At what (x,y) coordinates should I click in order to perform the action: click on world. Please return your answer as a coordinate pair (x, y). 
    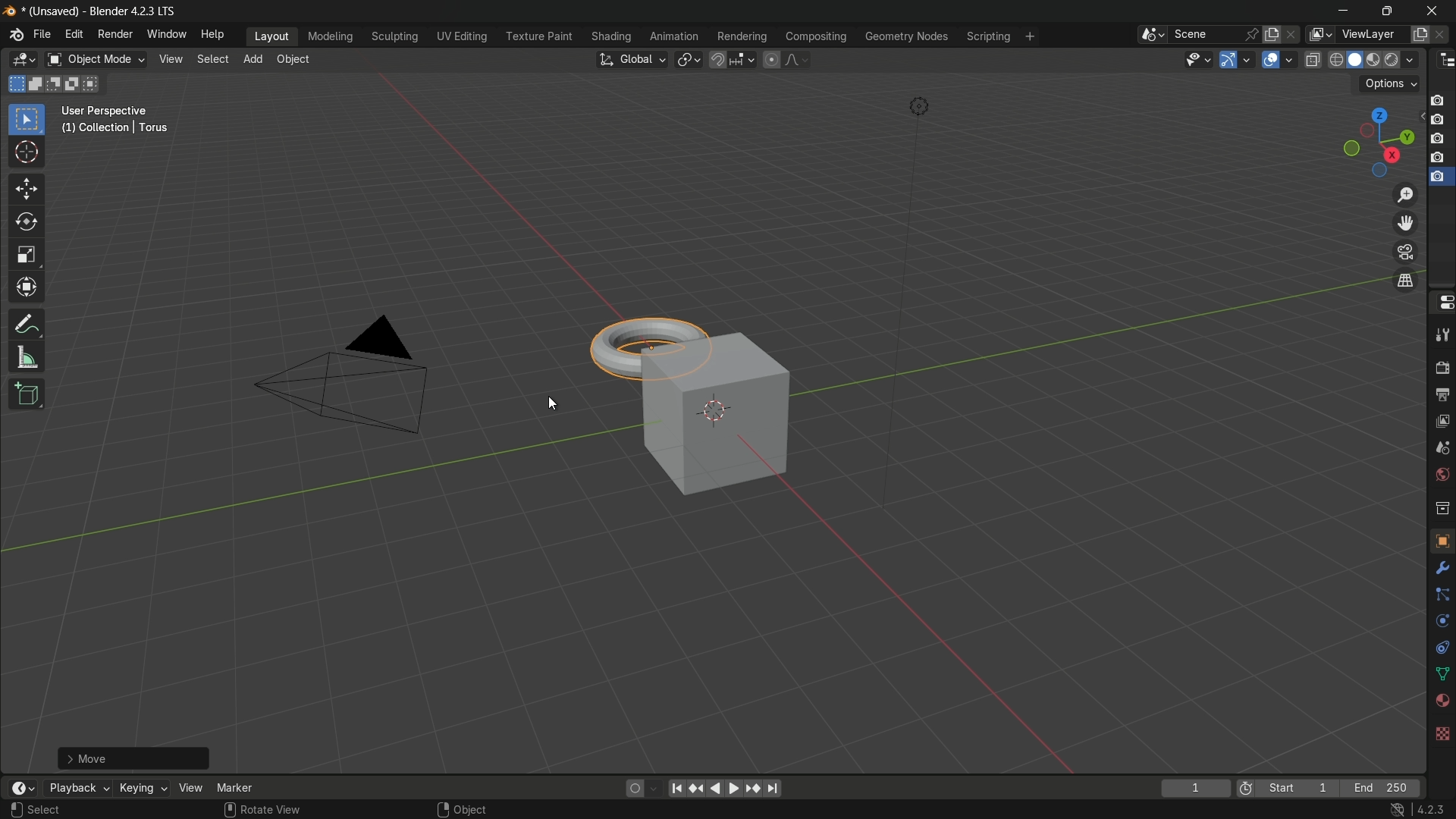
    Looking at the image, I should click on (1439, 475).